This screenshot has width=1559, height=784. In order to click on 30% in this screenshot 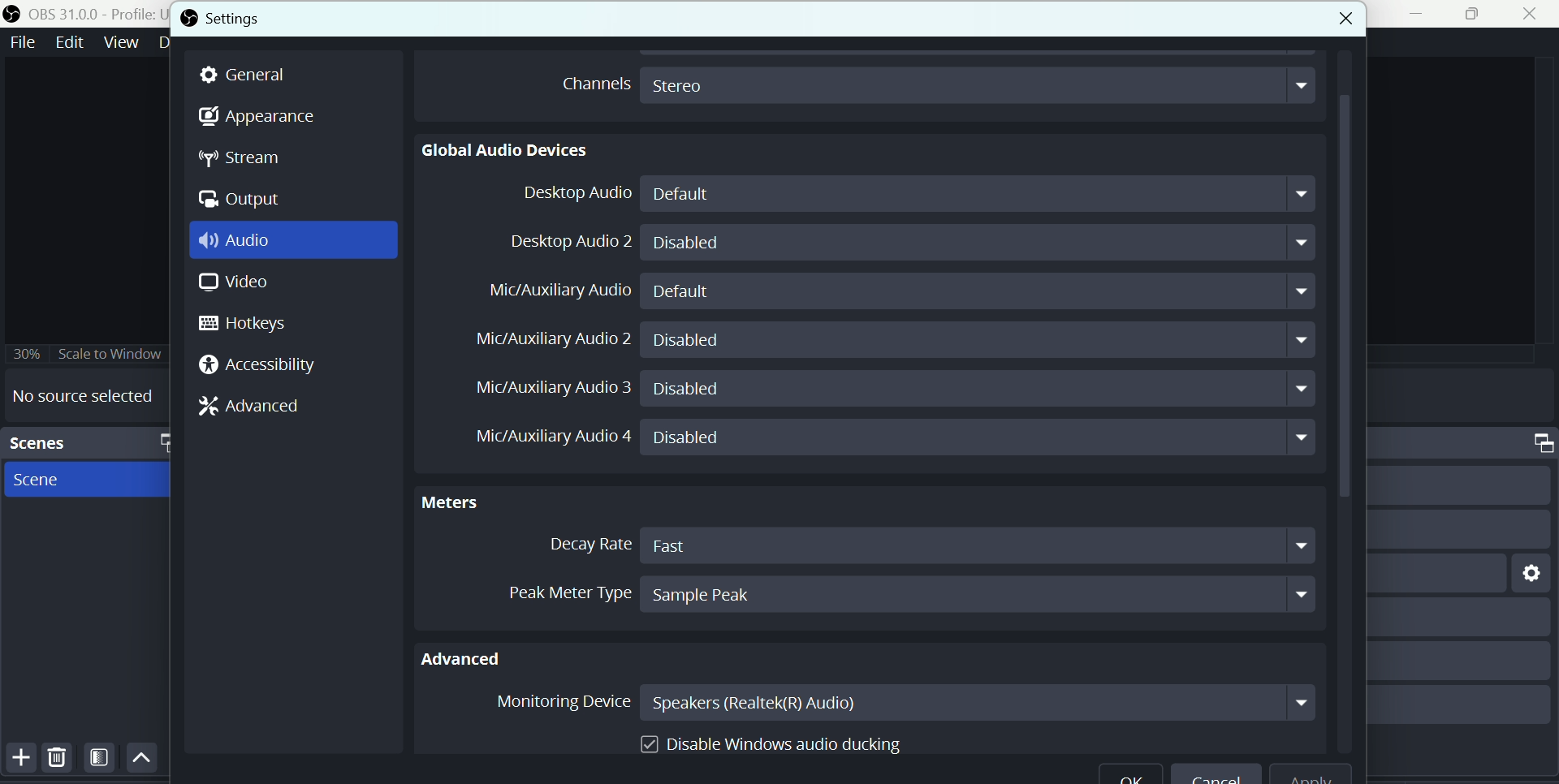, I will do `click(26, 351)`.